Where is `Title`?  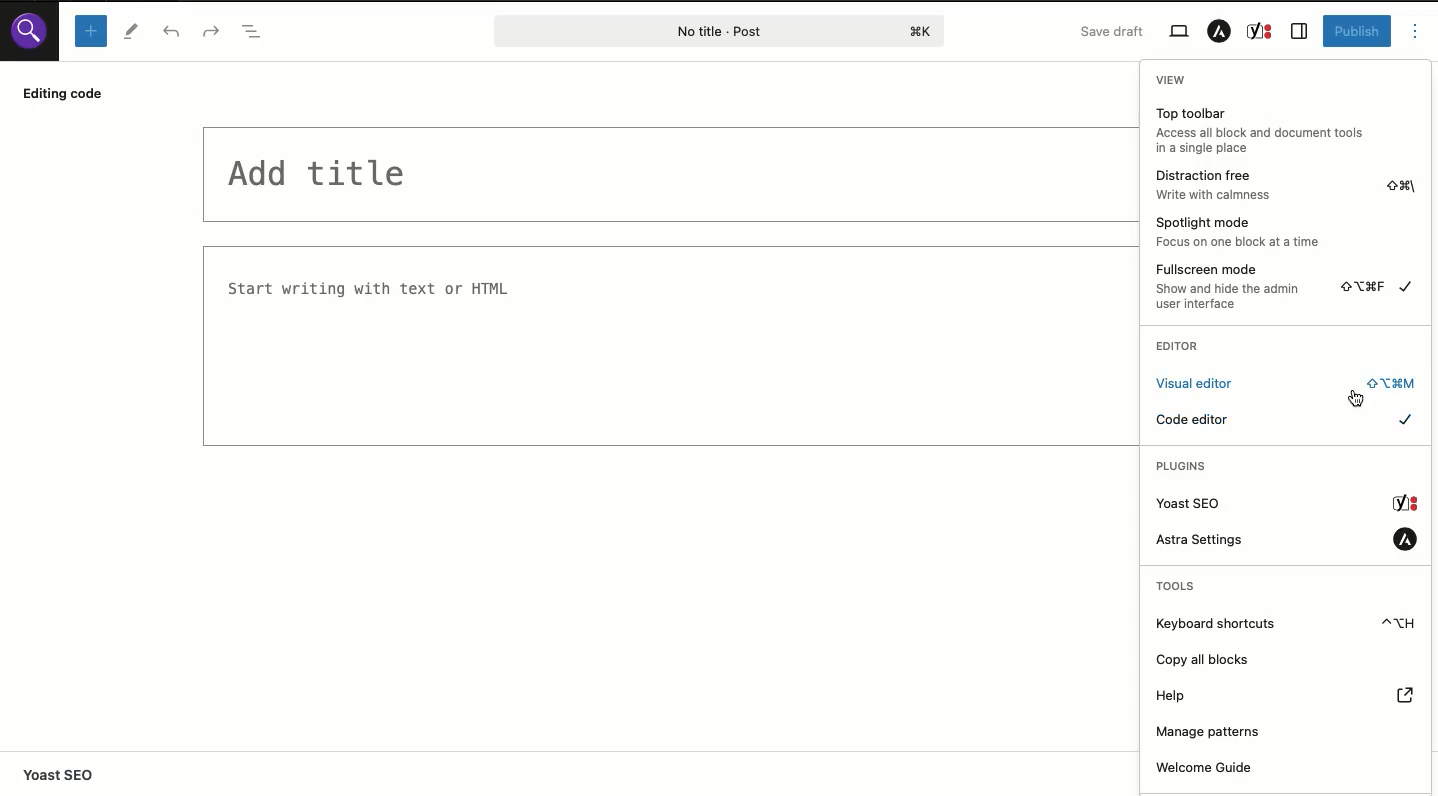 Title is located at coordinates (612, 173).